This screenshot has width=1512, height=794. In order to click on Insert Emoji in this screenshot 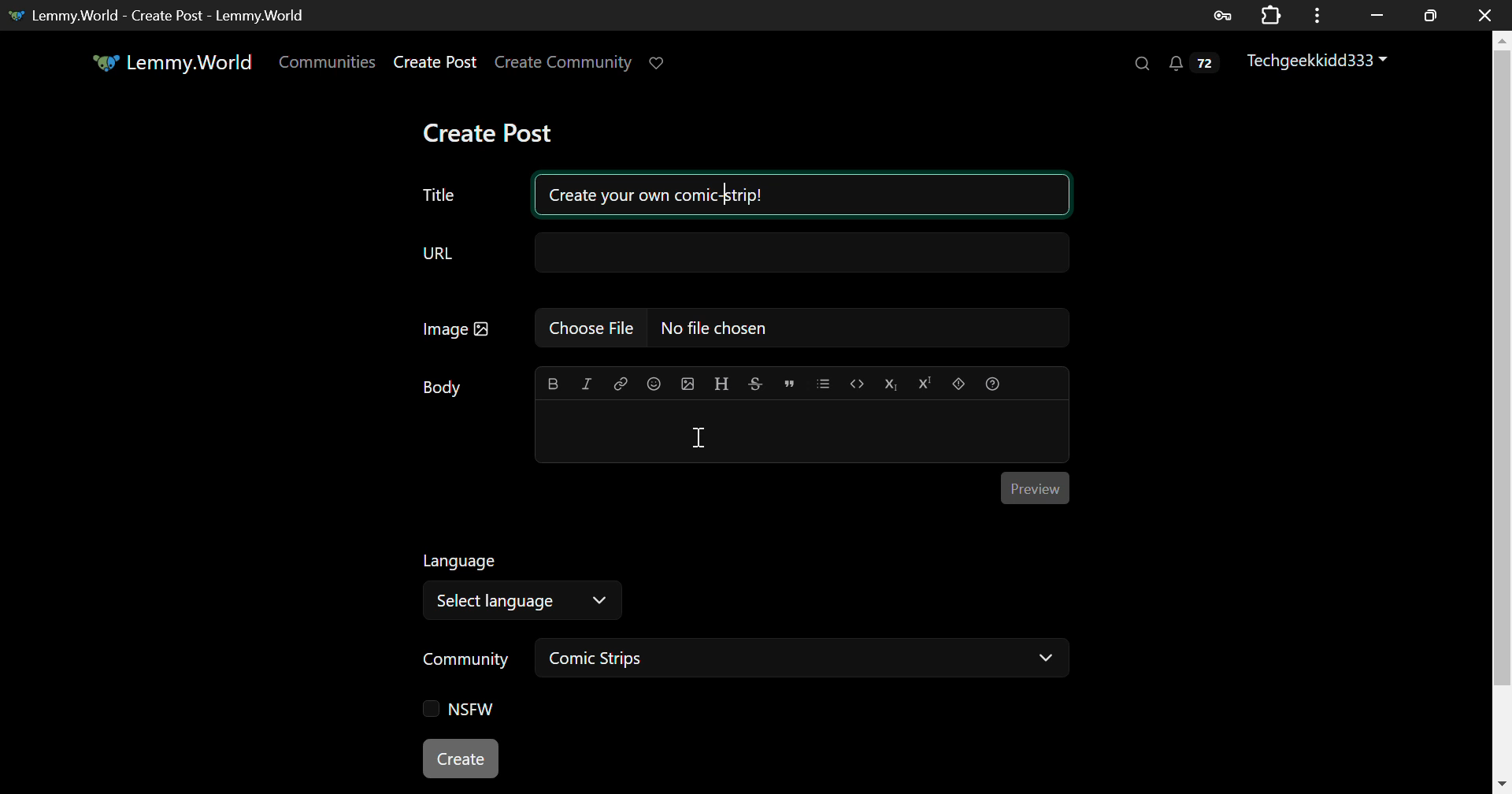, I will do `click(653, 385)`.